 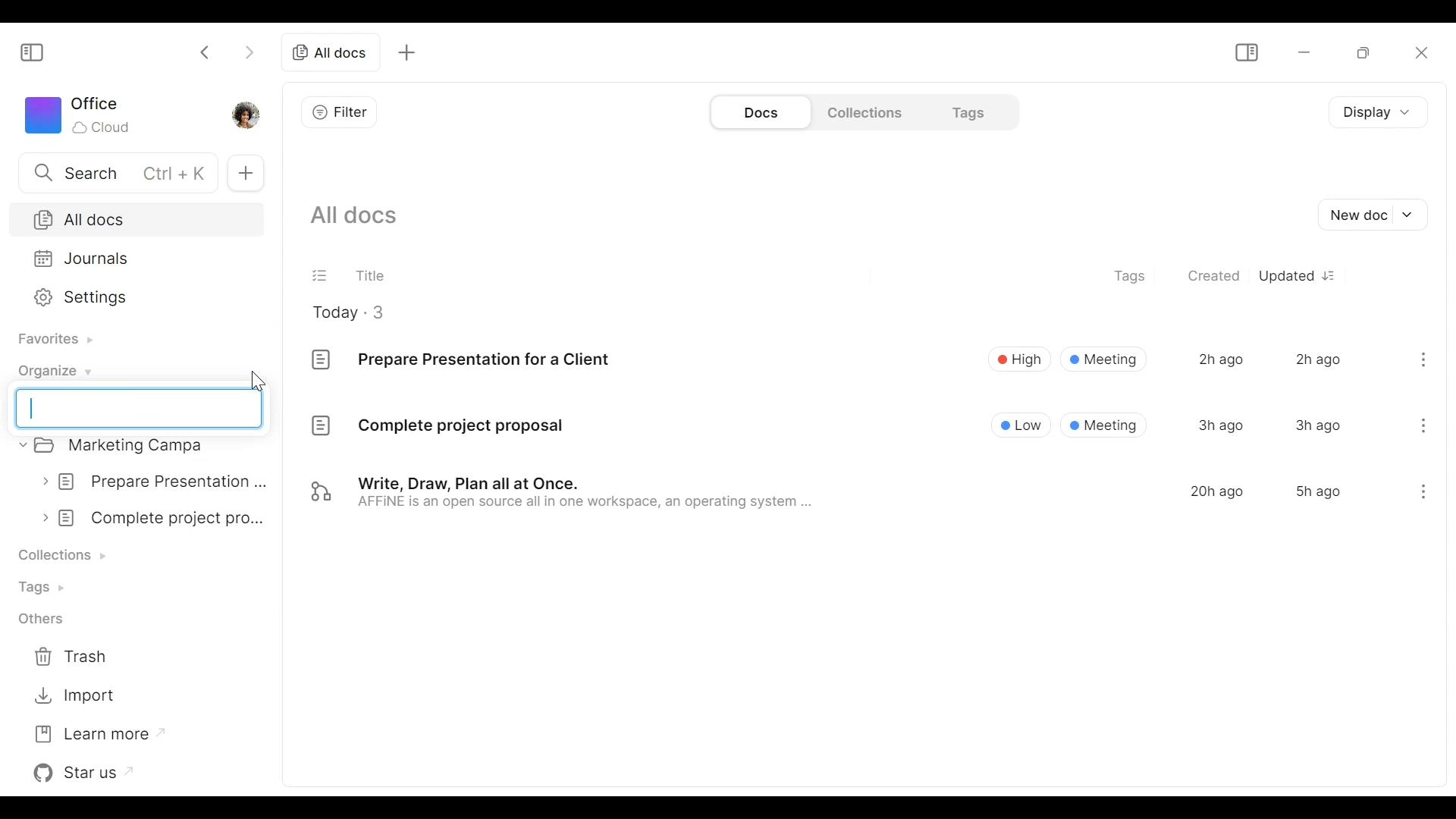 What do you see at coordinates (1422, 55) in the screenshot?
I see `Close` at bounding box center [1422, 55].